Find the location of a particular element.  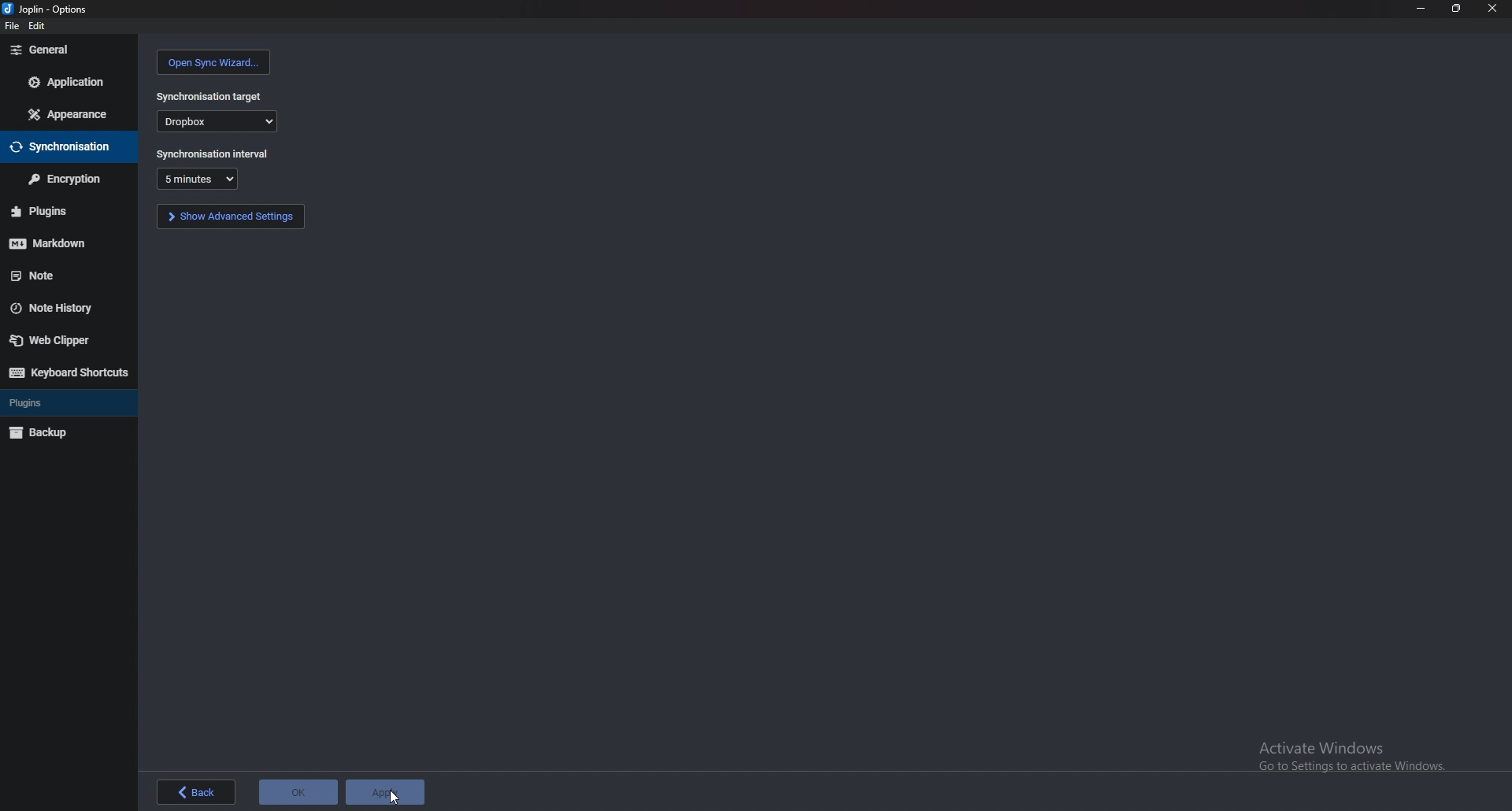

application is located at coordinates (69, 80).